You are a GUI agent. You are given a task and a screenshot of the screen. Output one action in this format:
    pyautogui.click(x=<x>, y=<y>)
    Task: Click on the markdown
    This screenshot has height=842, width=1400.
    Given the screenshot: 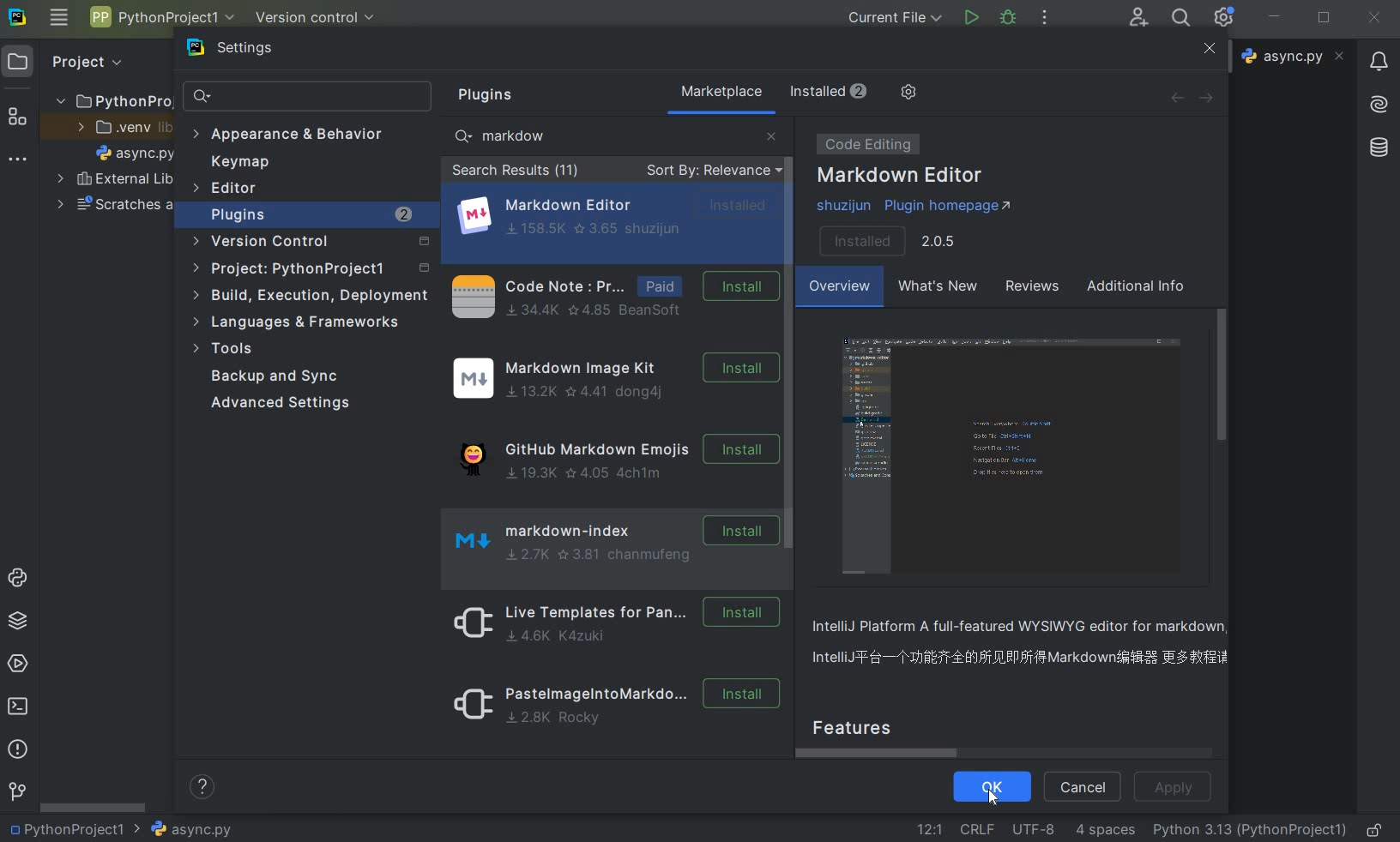 What is the action you would take?
    pyautogui.click(x=511, y=135)
    